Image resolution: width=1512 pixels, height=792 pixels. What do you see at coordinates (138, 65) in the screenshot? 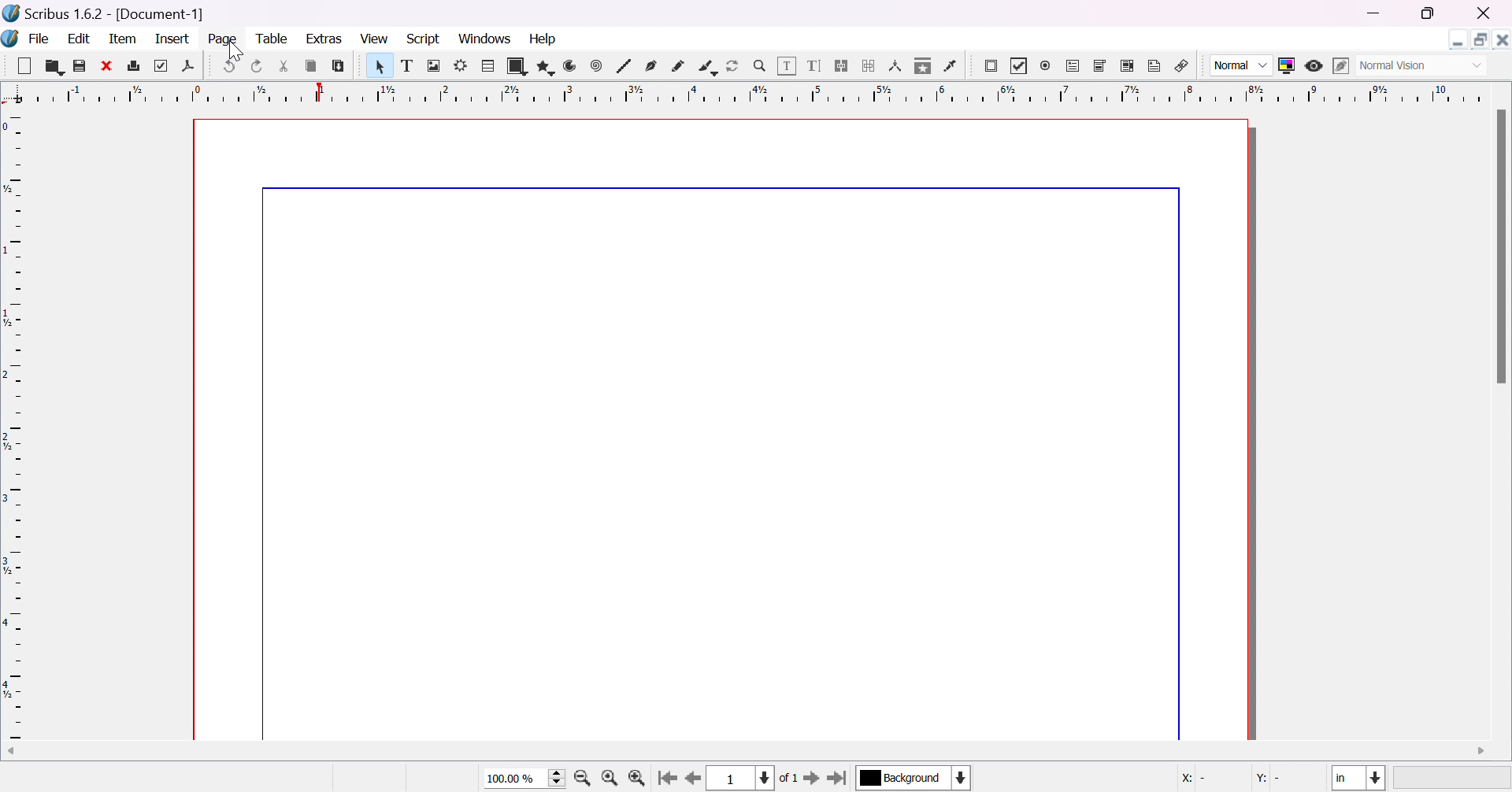
I see `print` at bounding box center [138, 65].